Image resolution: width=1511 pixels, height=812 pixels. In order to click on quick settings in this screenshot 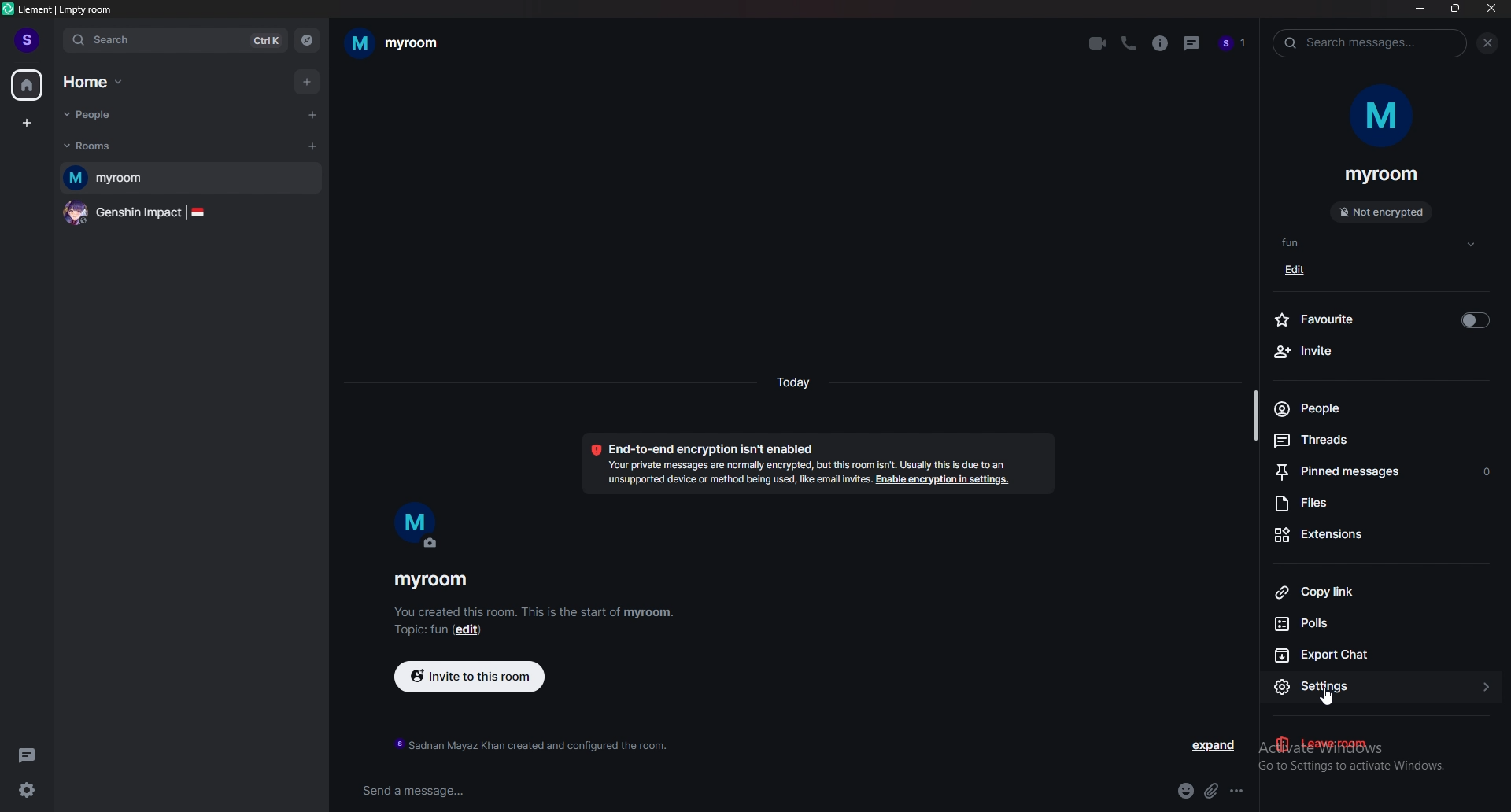, I will do `click(28, 790)`.